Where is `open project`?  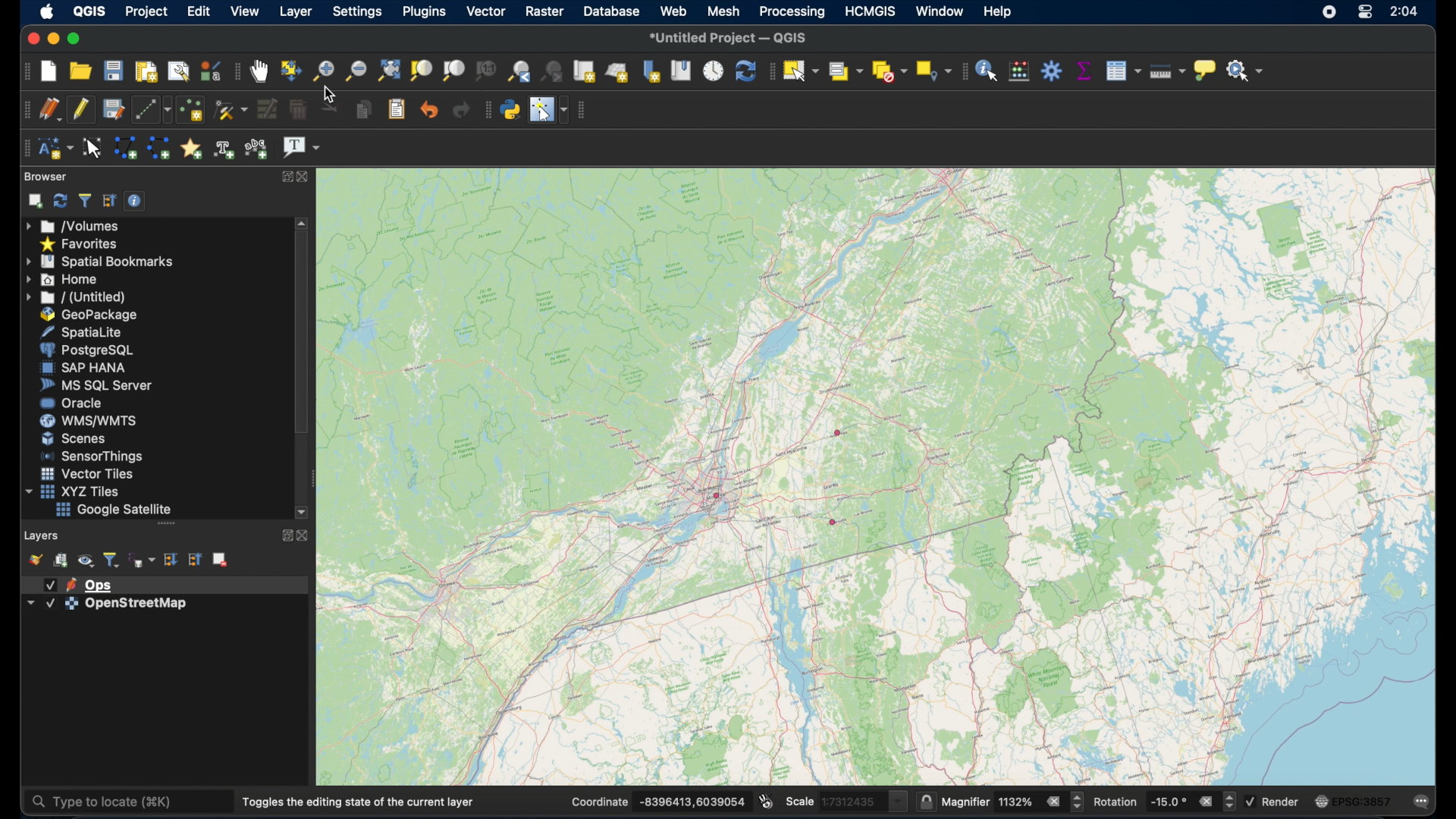
open project is located at coordinates (80, 71).